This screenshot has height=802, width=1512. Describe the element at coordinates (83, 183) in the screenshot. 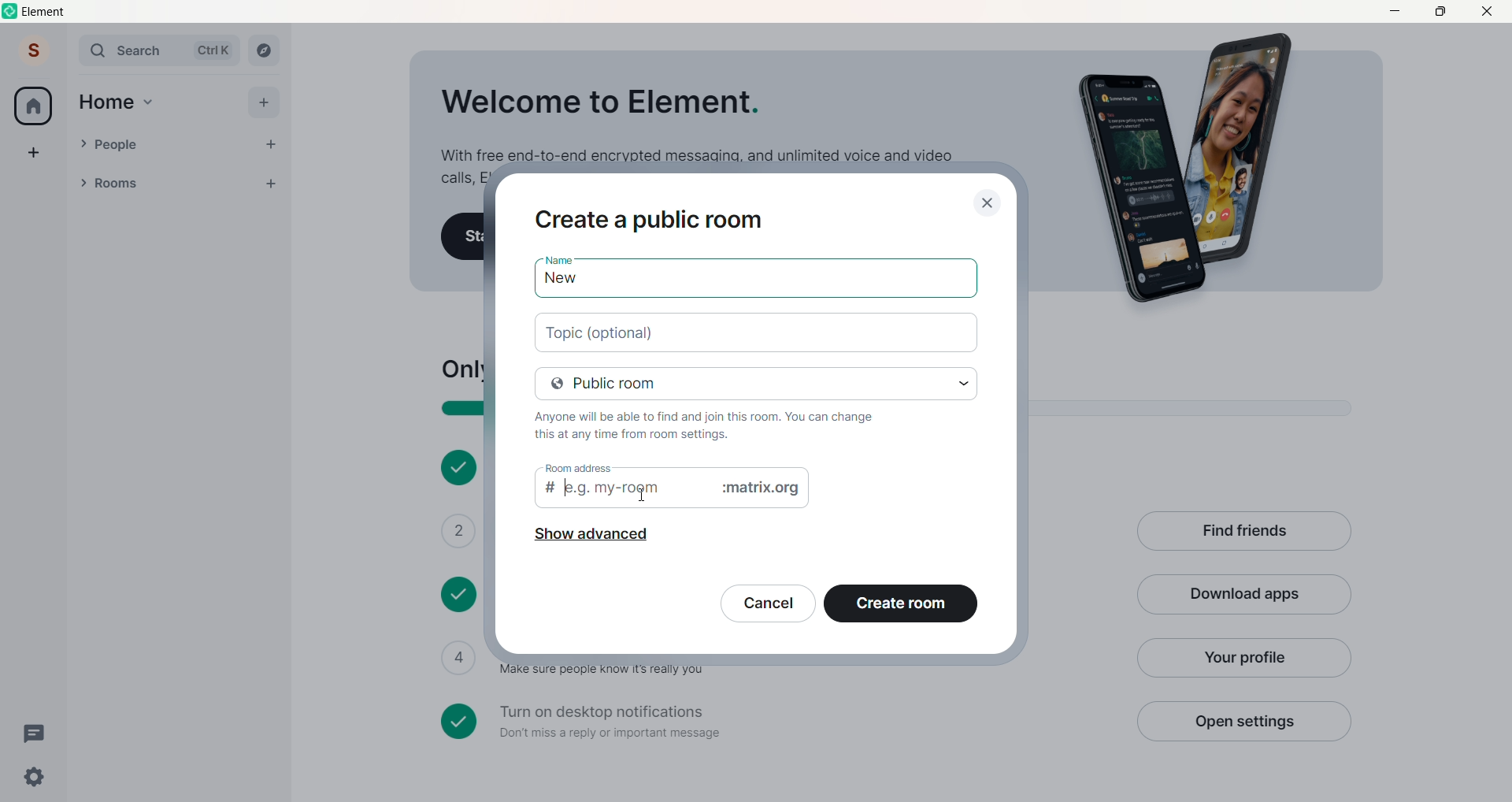

I see `Room Drop Down` at that location.